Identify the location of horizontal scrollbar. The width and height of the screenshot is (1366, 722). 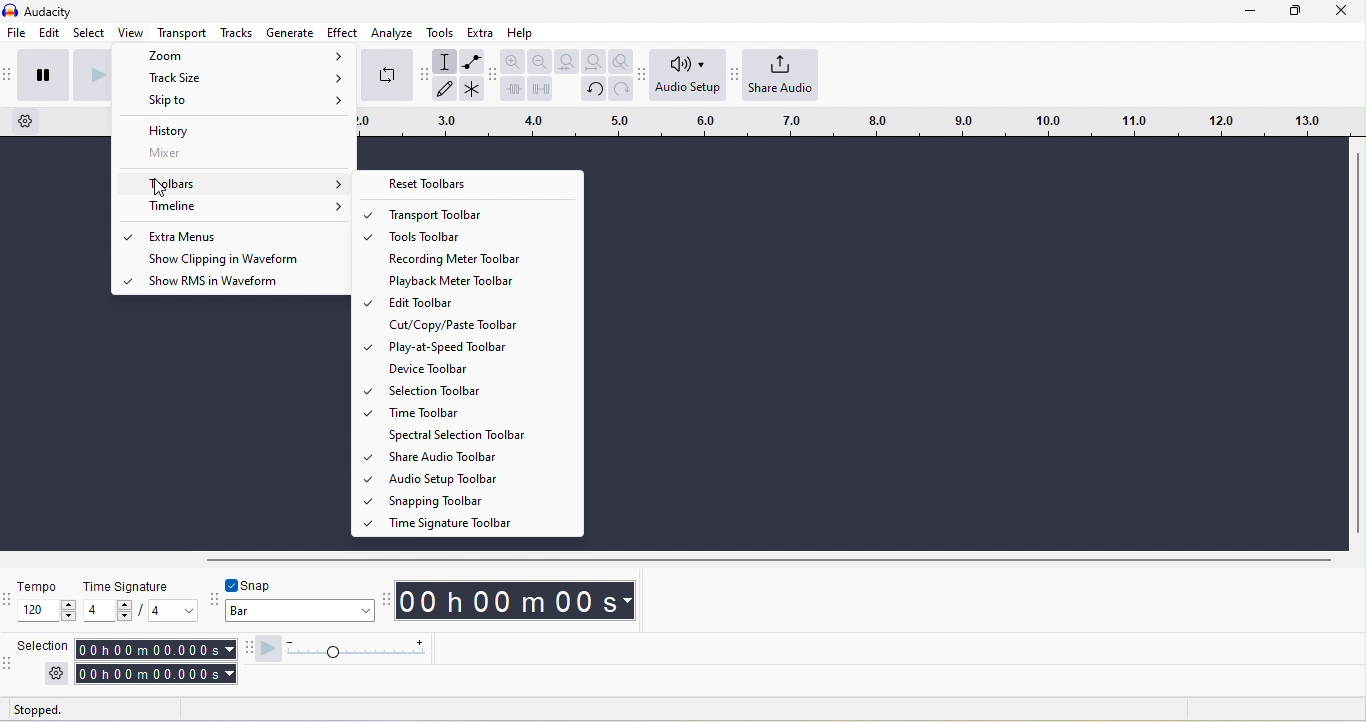
(769, 561).